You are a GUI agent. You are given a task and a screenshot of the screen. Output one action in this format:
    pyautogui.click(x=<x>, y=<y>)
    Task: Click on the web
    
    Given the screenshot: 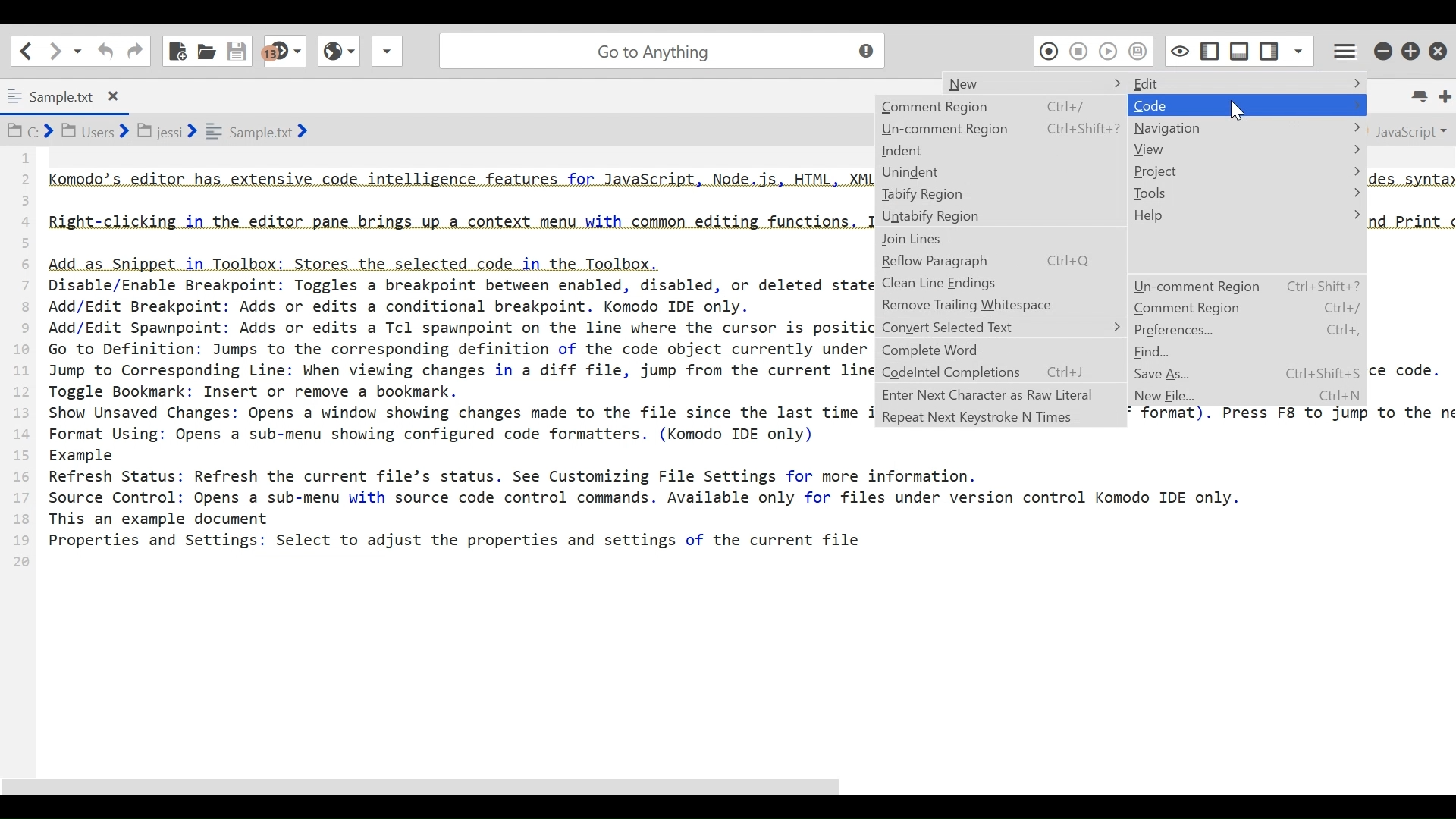 What is the action you would take?
    pyautogui.click(x=337, y=55)
    